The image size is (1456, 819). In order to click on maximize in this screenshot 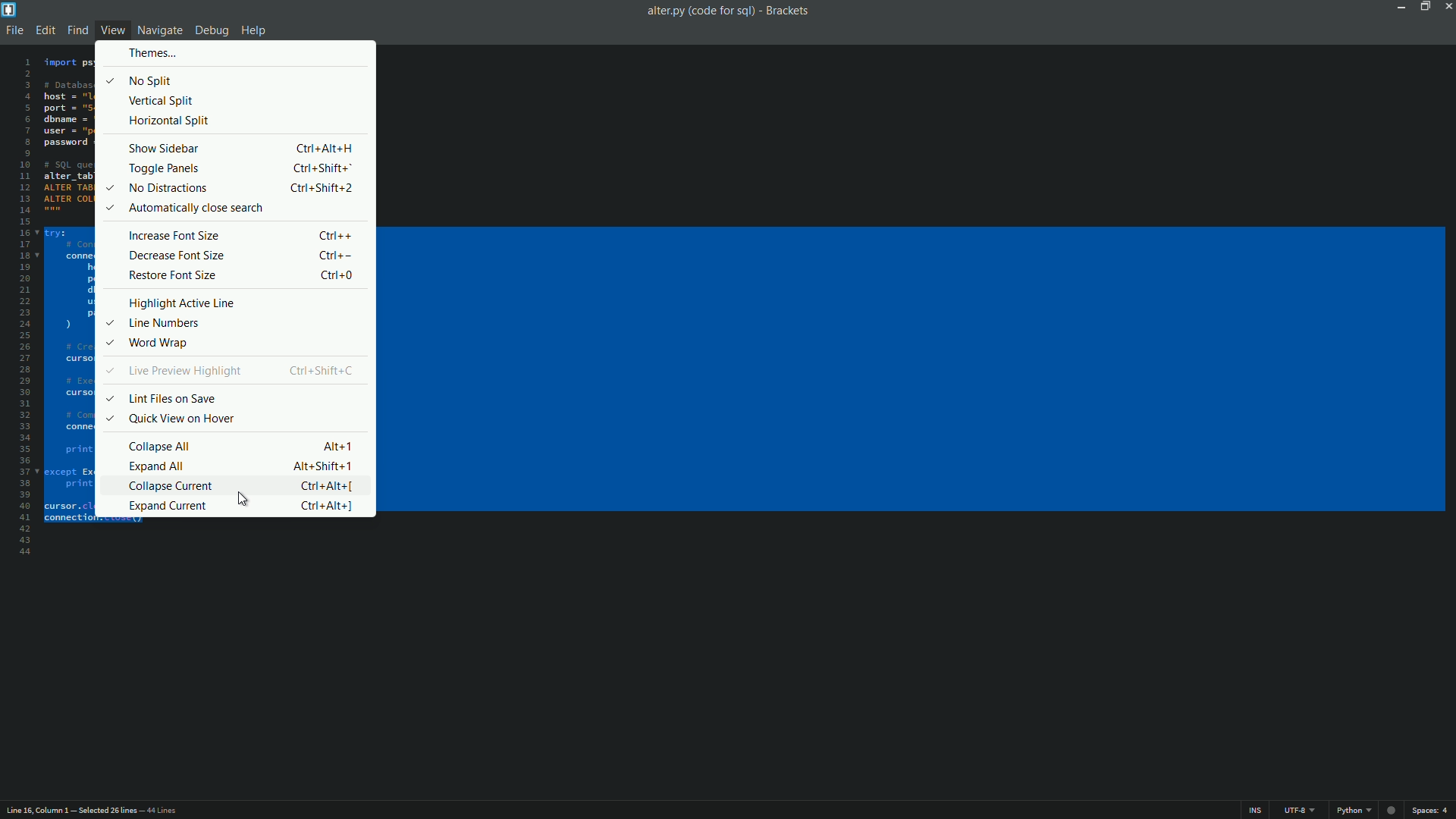, I will do `click(1422, 6)`.